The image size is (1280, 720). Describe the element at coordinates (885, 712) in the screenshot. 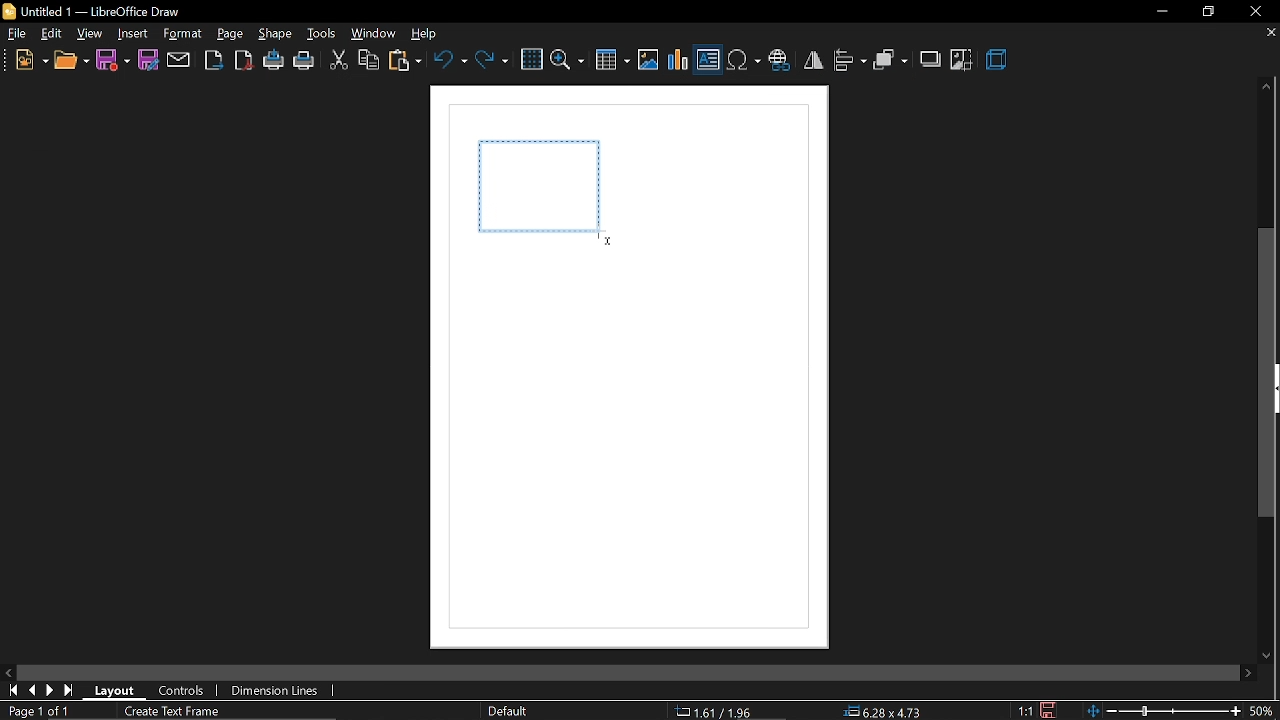

I see `position` at that location.